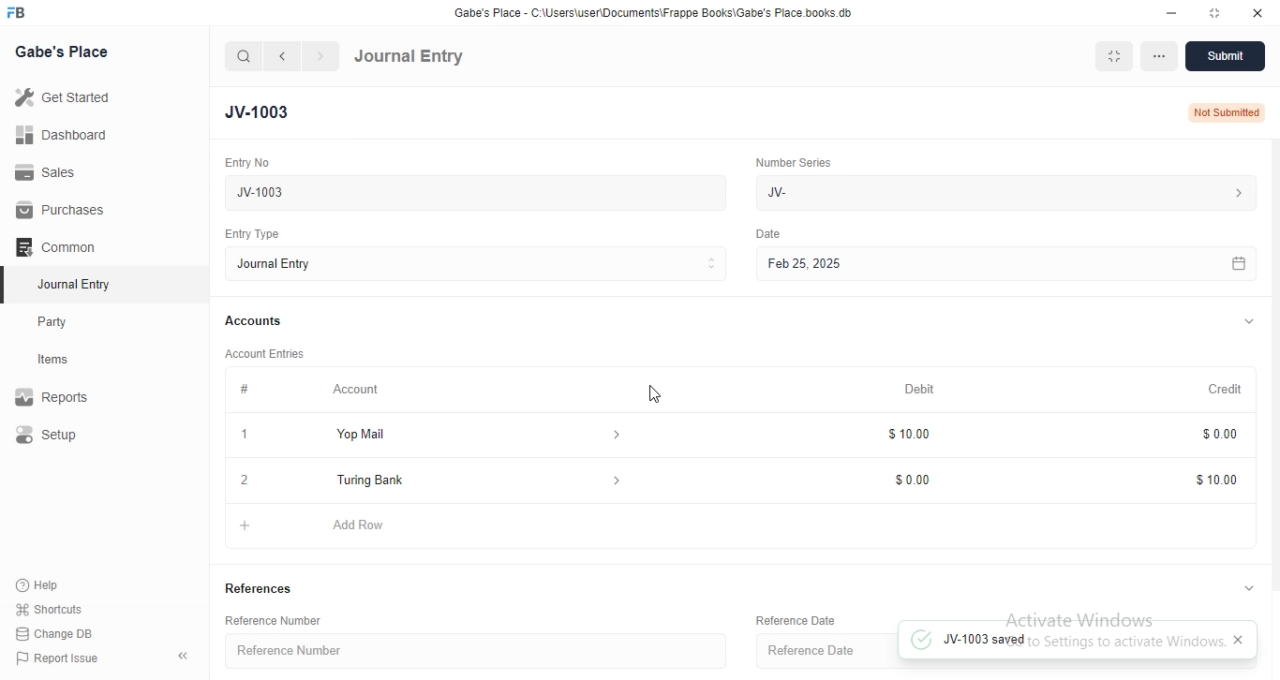  Describe the element at coordinates (61, 138) in the screenshot. I see `Dashboard` at that location.